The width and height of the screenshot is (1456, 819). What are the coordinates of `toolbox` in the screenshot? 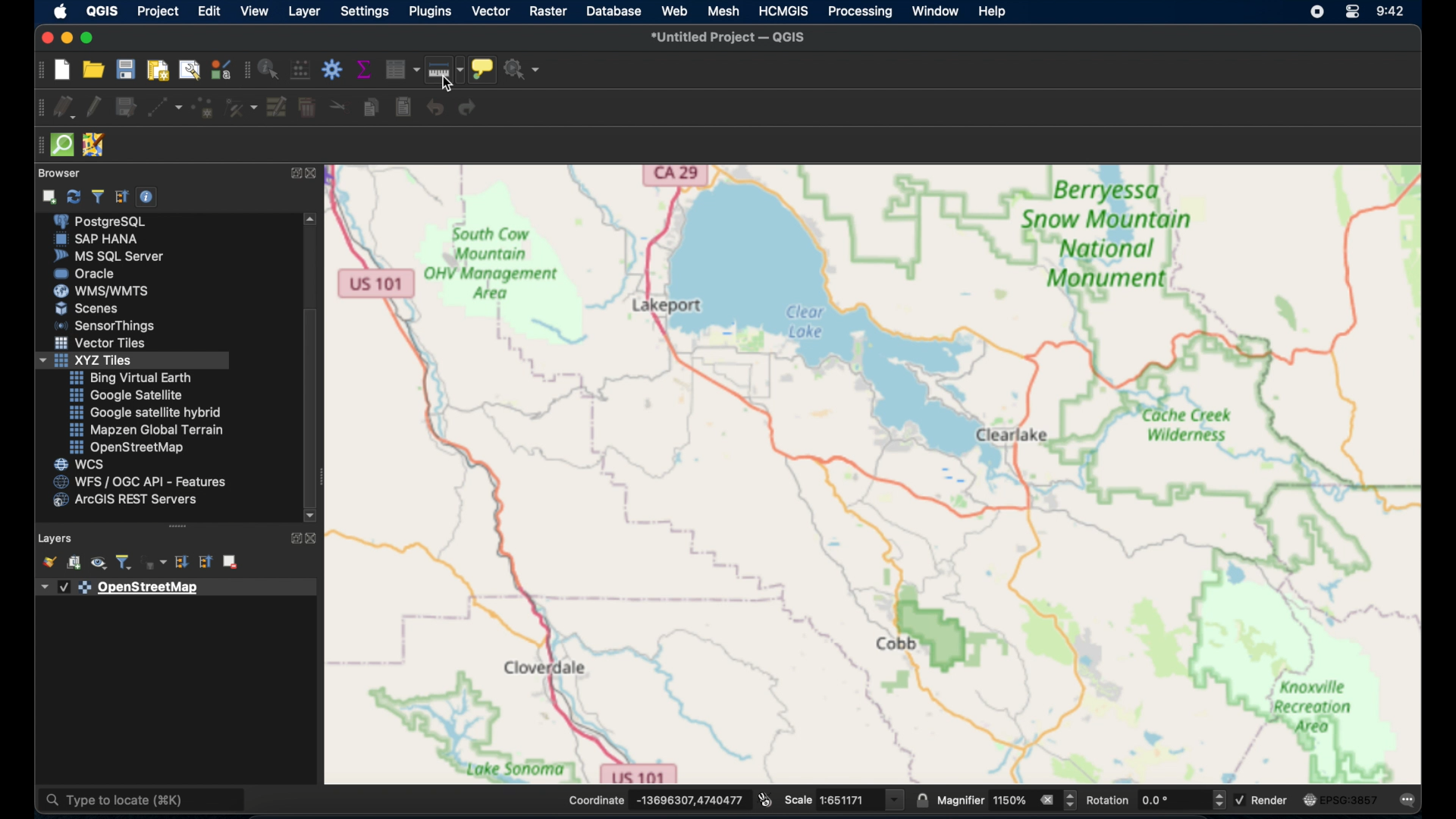 It's located at (331, 69).